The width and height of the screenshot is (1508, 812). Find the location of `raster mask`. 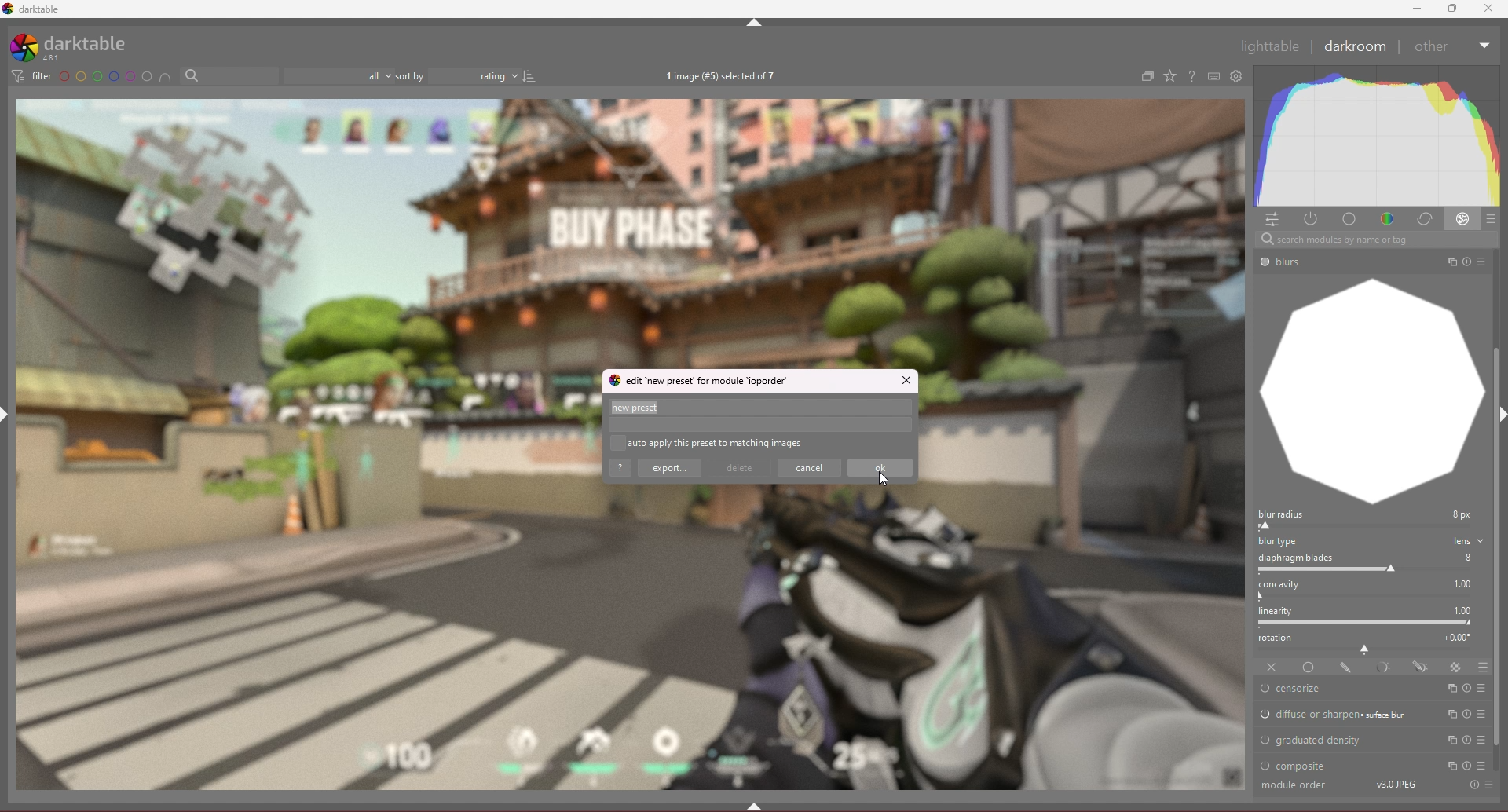

raster mask is located at coordinates (1455, 667).